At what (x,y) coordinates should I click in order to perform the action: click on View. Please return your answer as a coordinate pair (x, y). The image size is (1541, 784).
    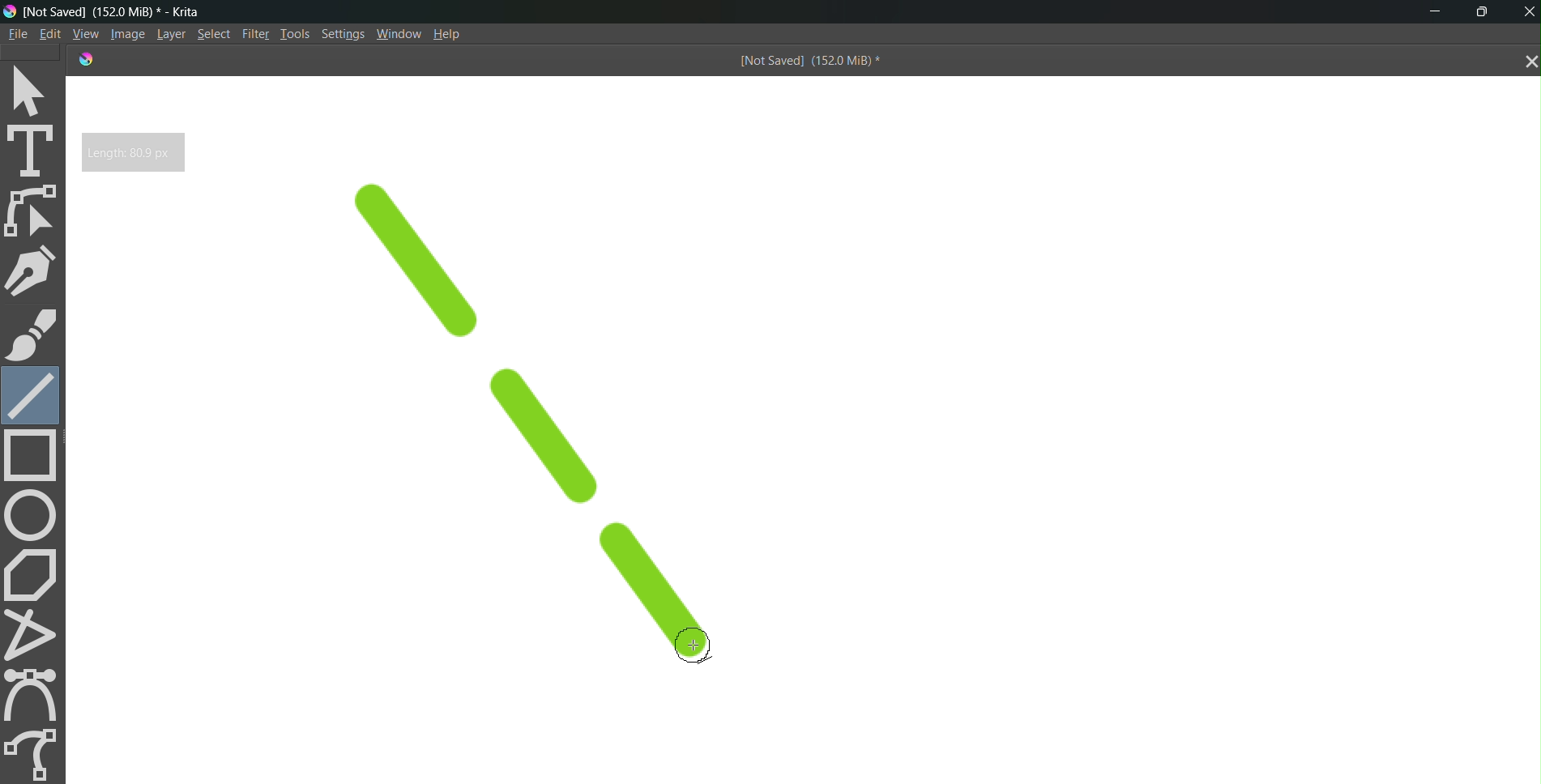
    Looking at the image, I should click on (83, 33).